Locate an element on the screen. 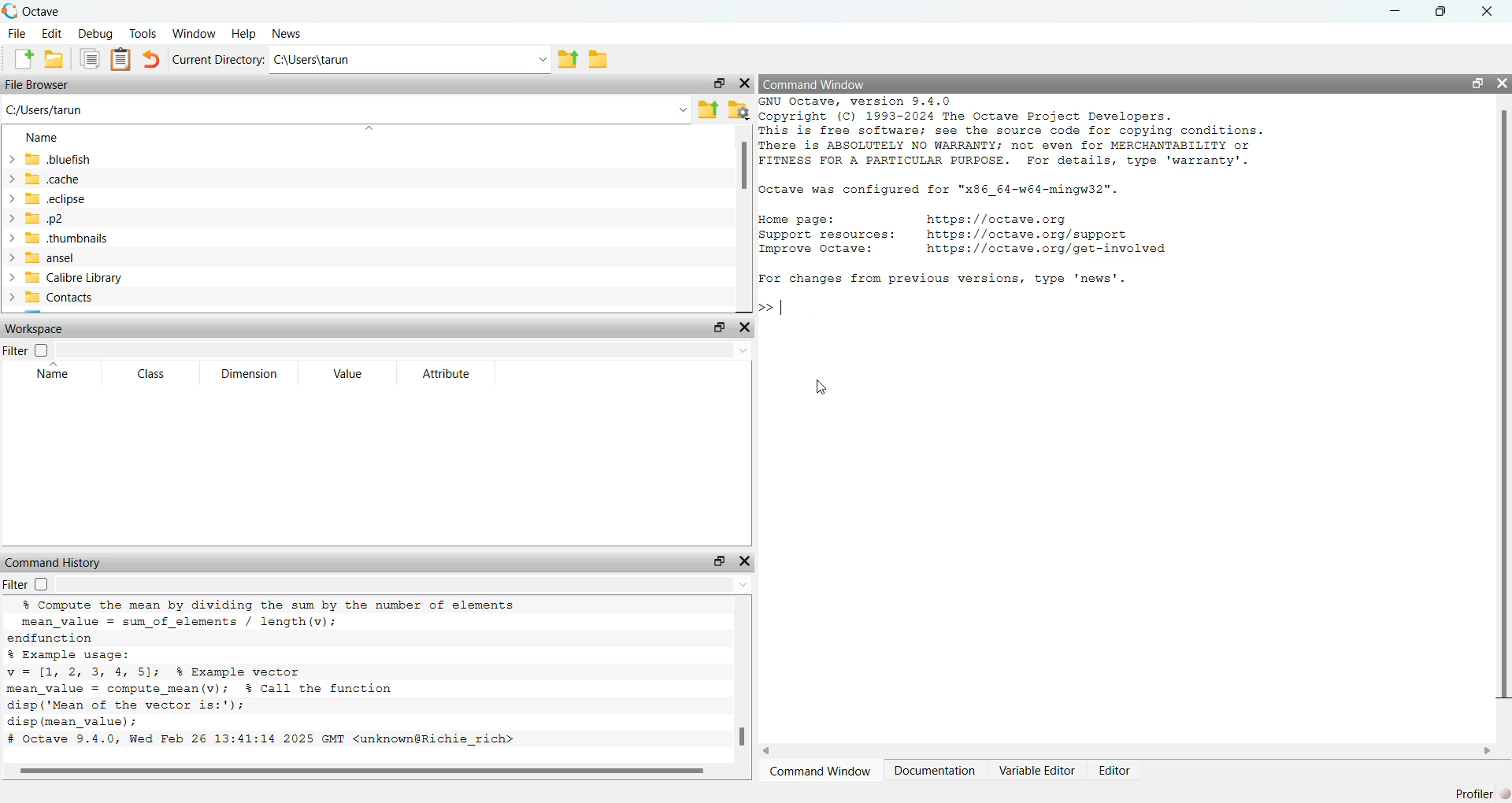 This screenshot has width=1512, height=803. For changes from previous versions, type 'news'. is located at coordinates (942, 279).